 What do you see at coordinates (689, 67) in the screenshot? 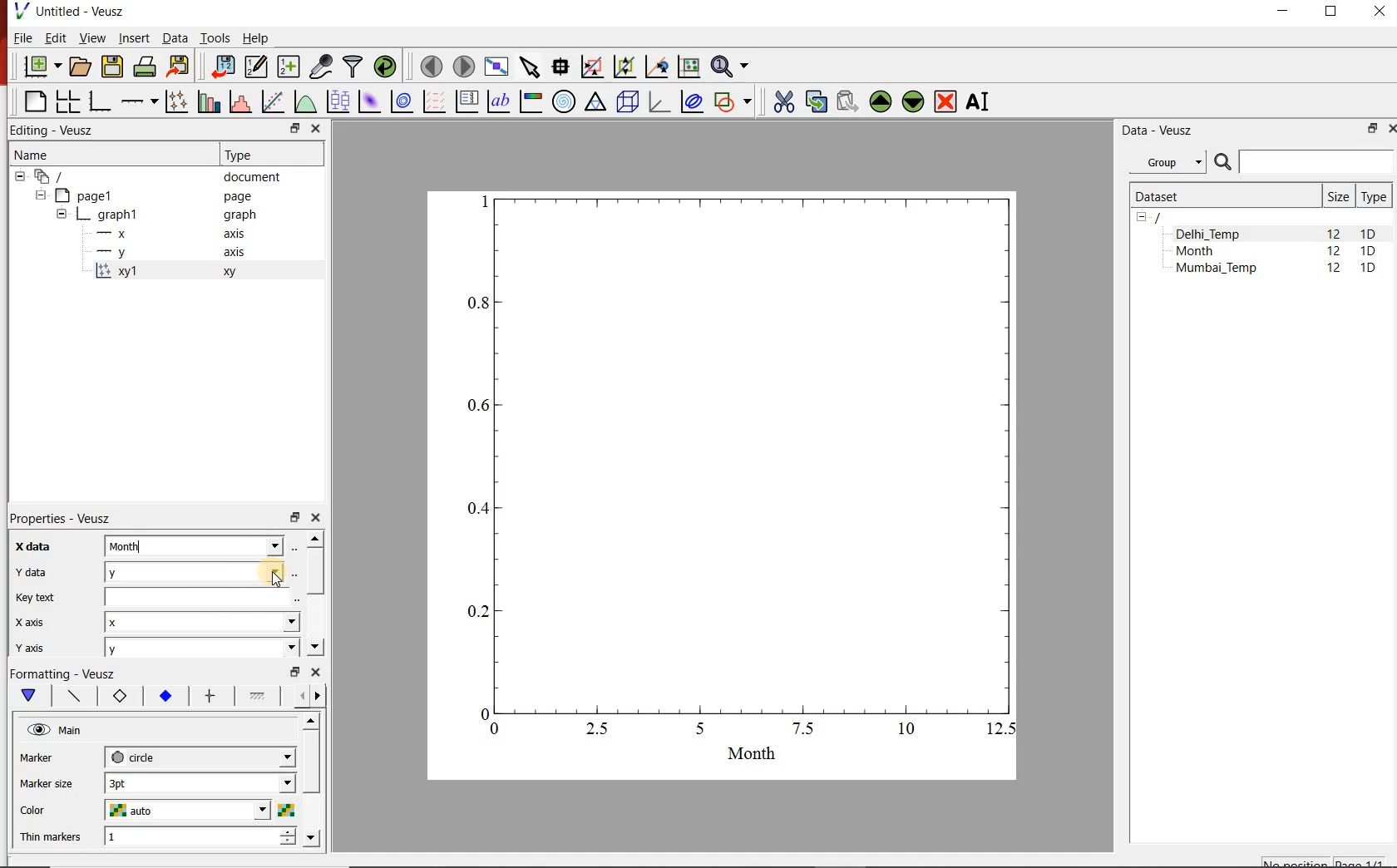
I see `click to reset graph axes` at bounding box center [689, 67].